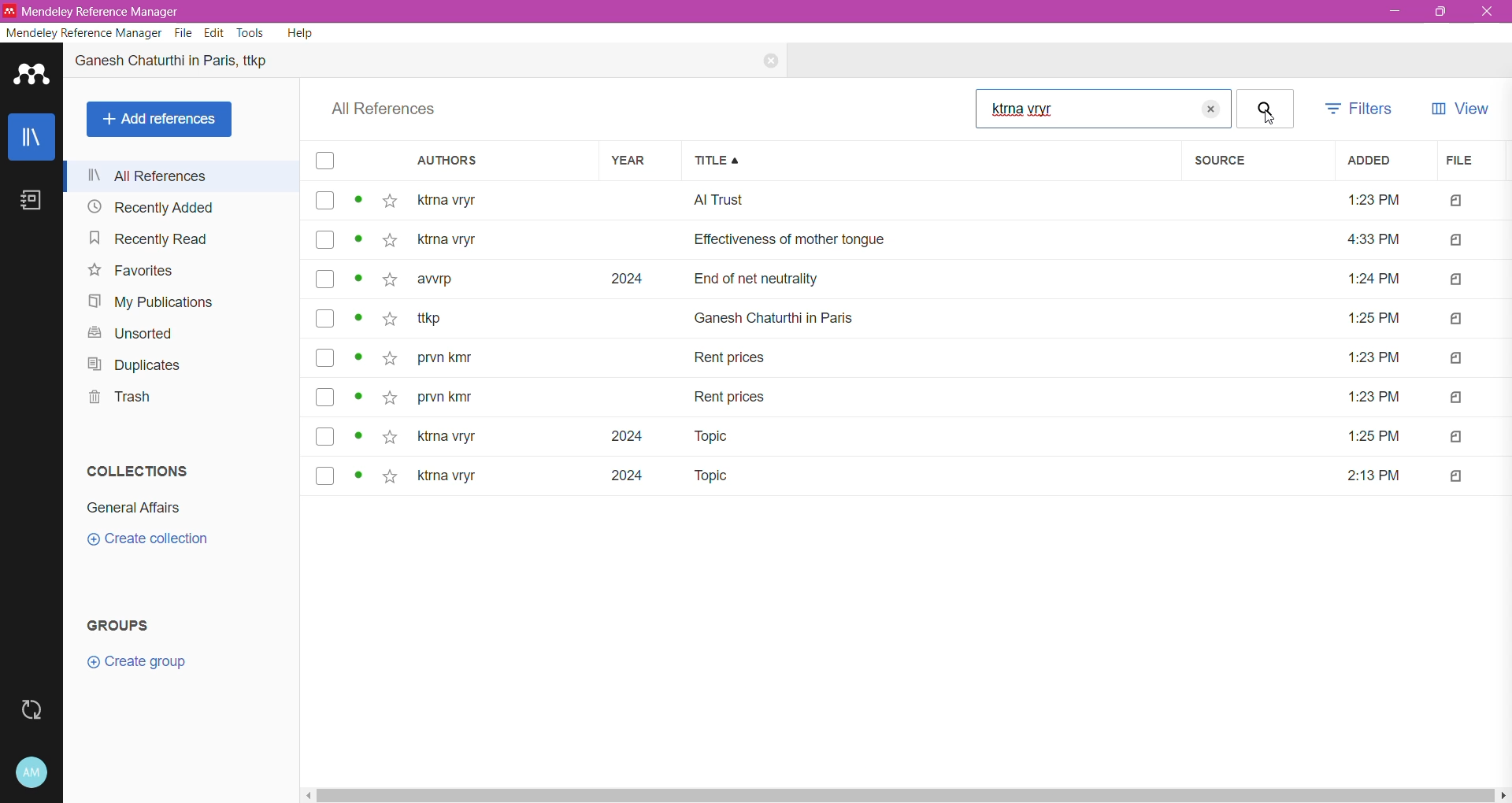 This screenshot has height=803, width=1512. Describe the element at coordinates (251, 33) in the screenshot. I see `Tools` at that location.